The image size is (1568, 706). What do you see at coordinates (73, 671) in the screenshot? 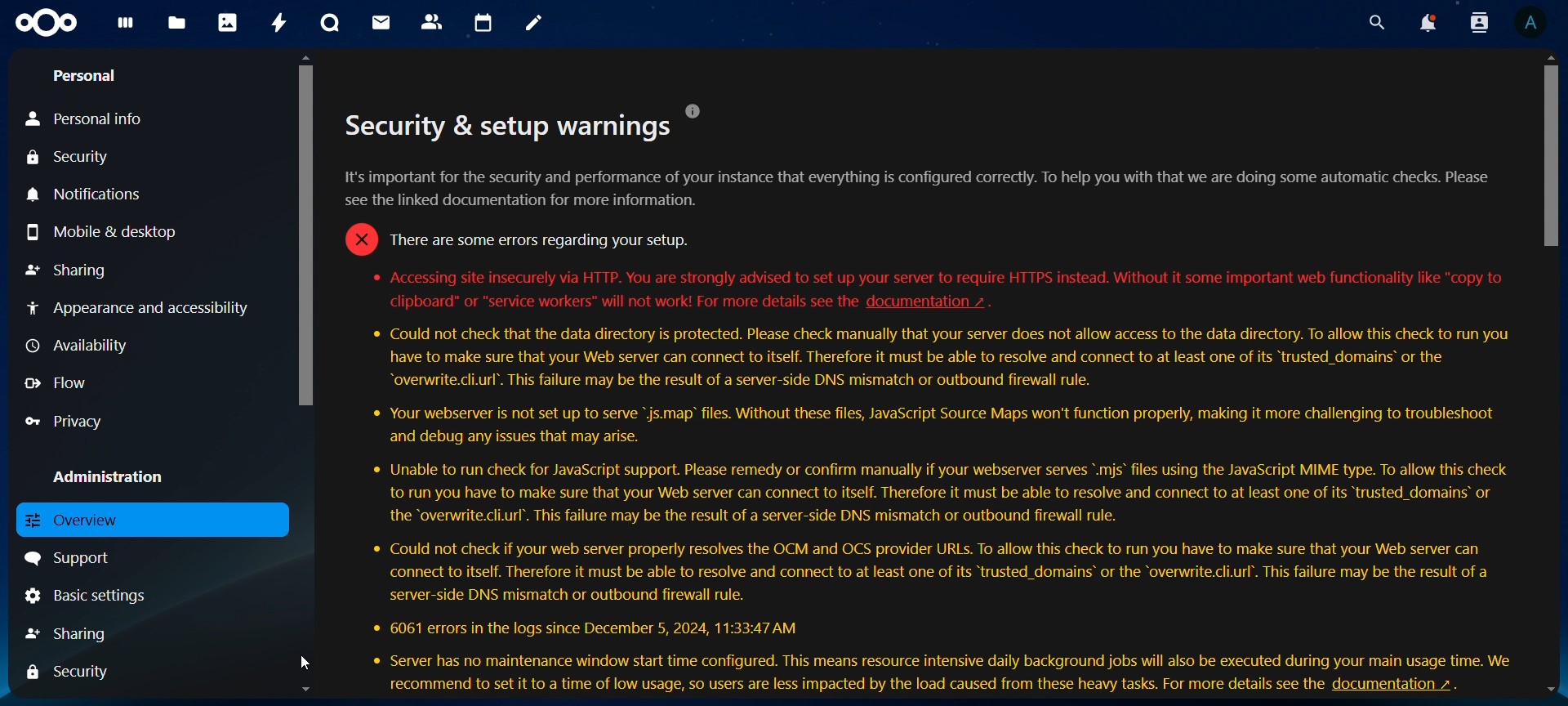
I see `security` at bounding box center [73, 671].